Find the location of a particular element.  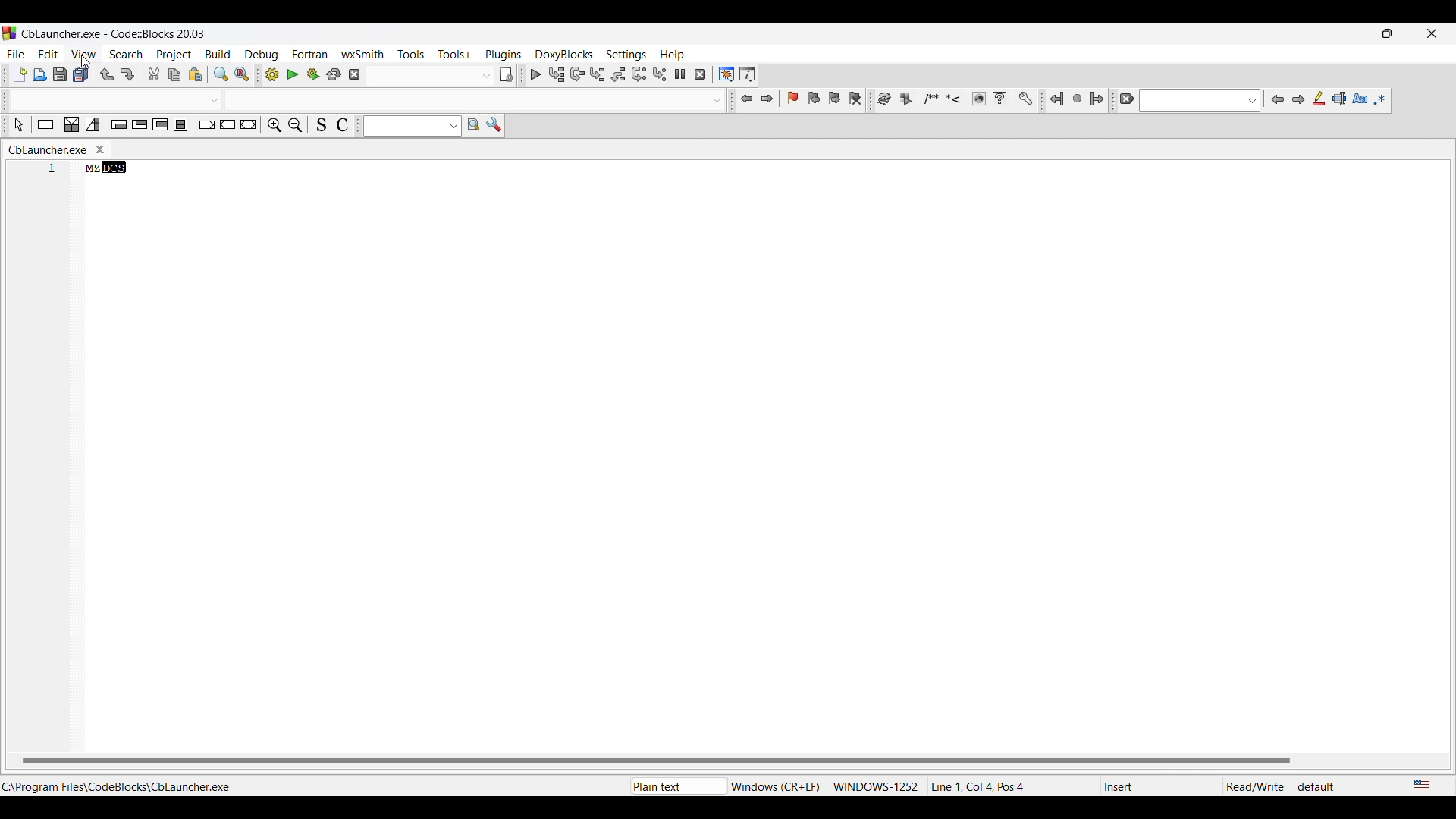

Run to cursor is located at coordinates (557, 74).